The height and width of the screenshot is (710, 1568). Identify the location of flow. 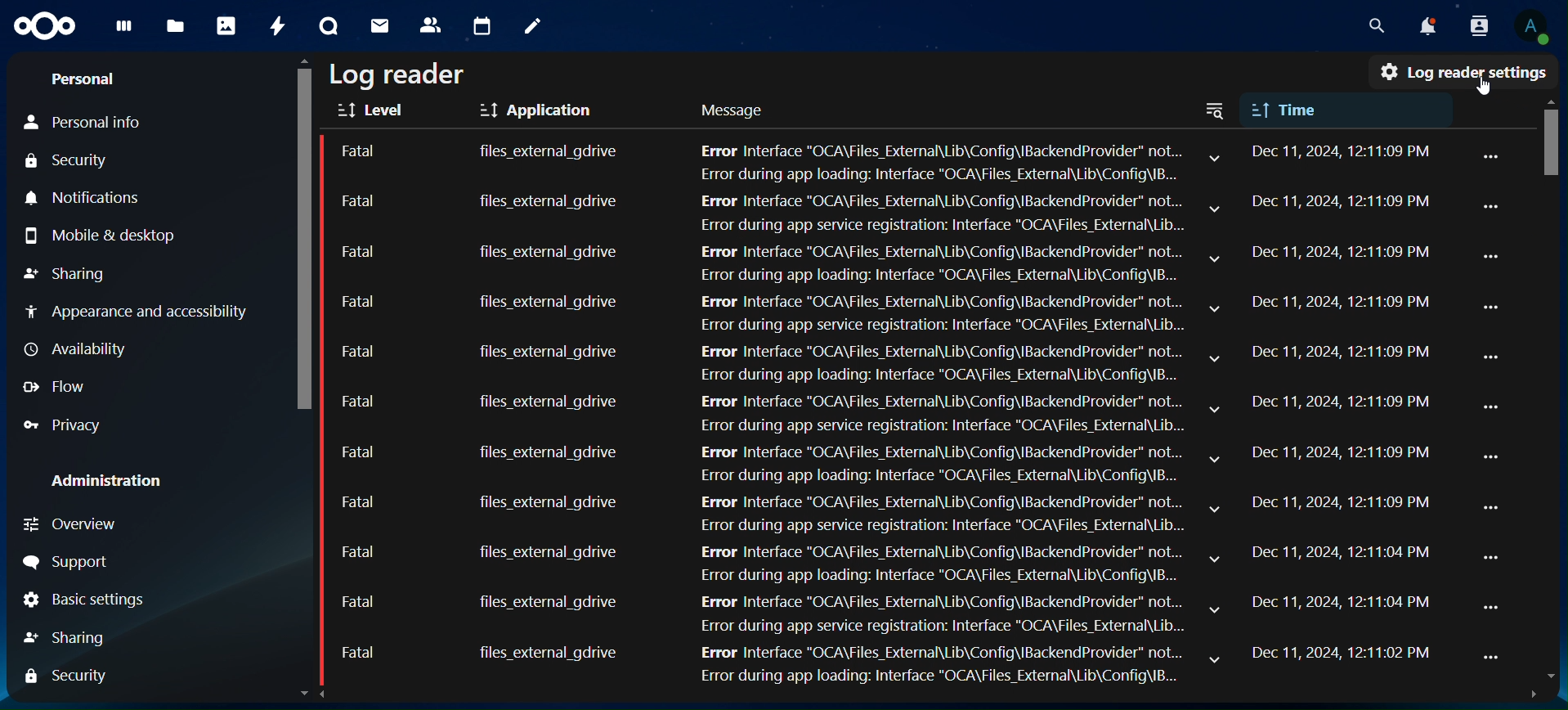
(58, 388).